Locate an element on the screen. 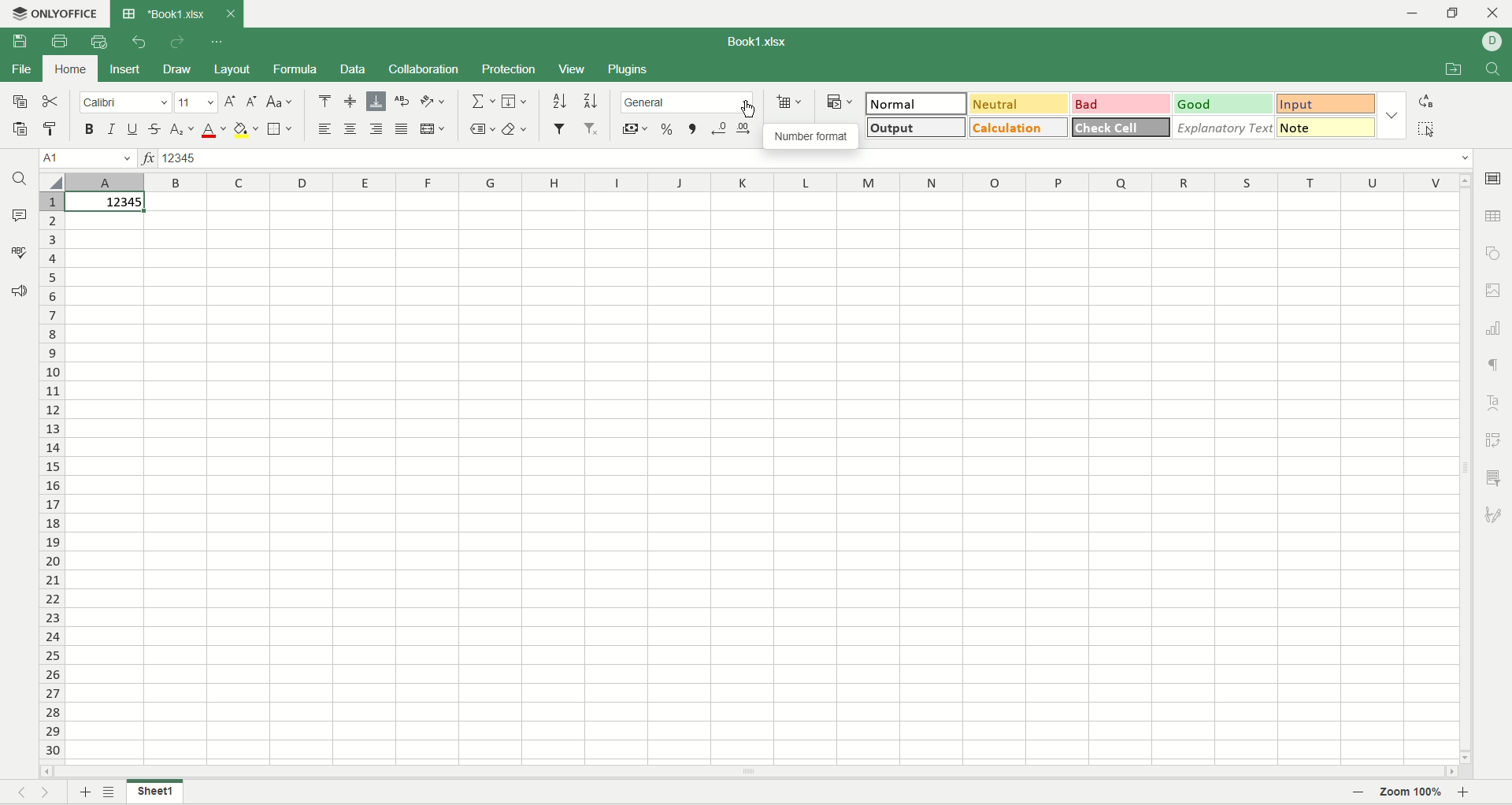  previous is located at coordinates (17, 792).